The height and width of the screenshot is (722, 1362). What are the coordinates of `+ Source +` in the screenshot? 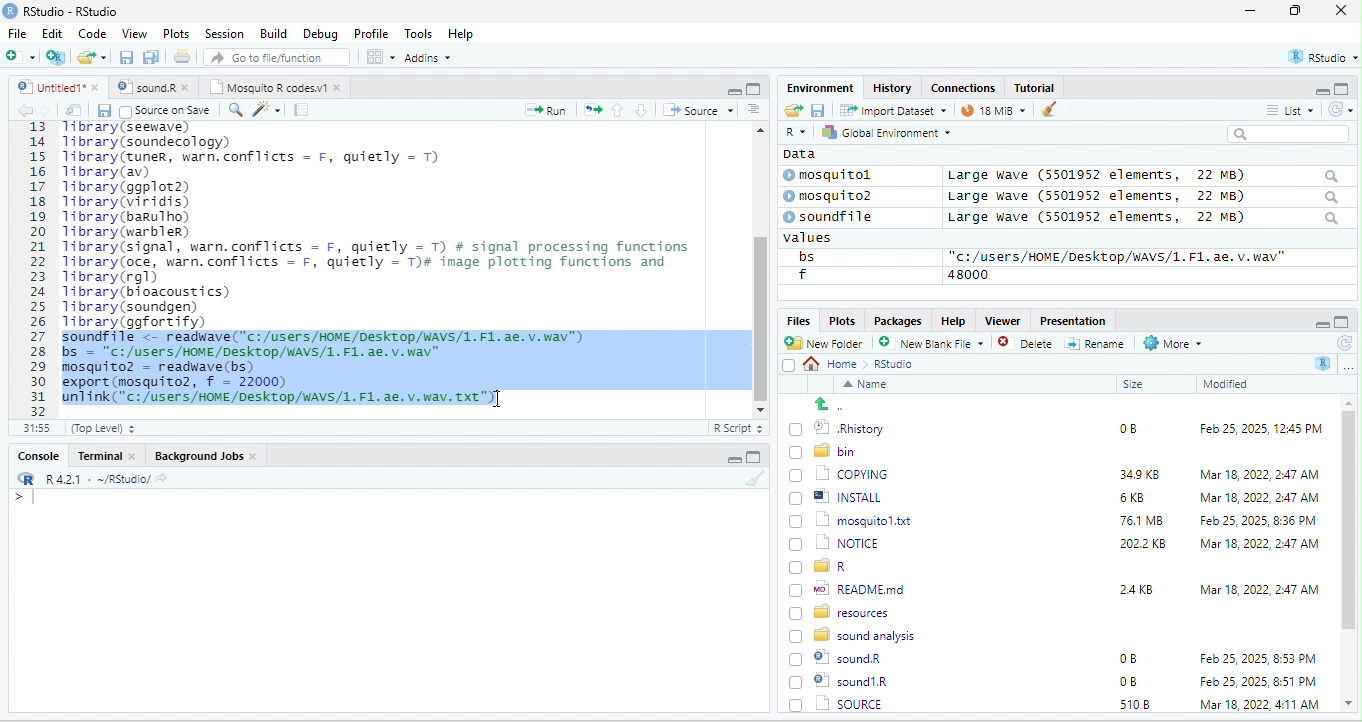 It's located at (698, 109).